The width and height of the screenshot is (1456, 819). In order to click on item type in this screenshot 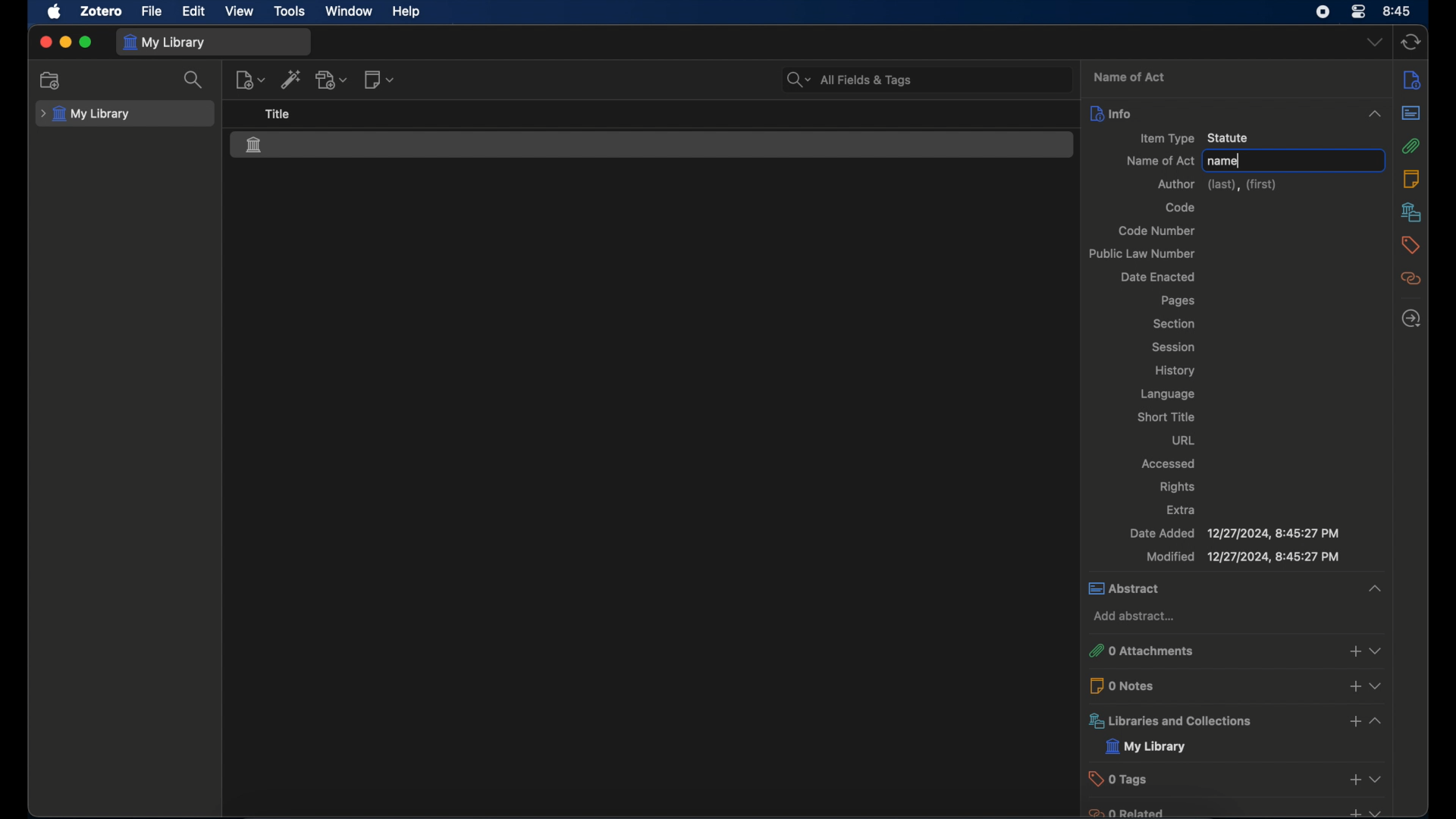, I will do `click(1197, 137)`.